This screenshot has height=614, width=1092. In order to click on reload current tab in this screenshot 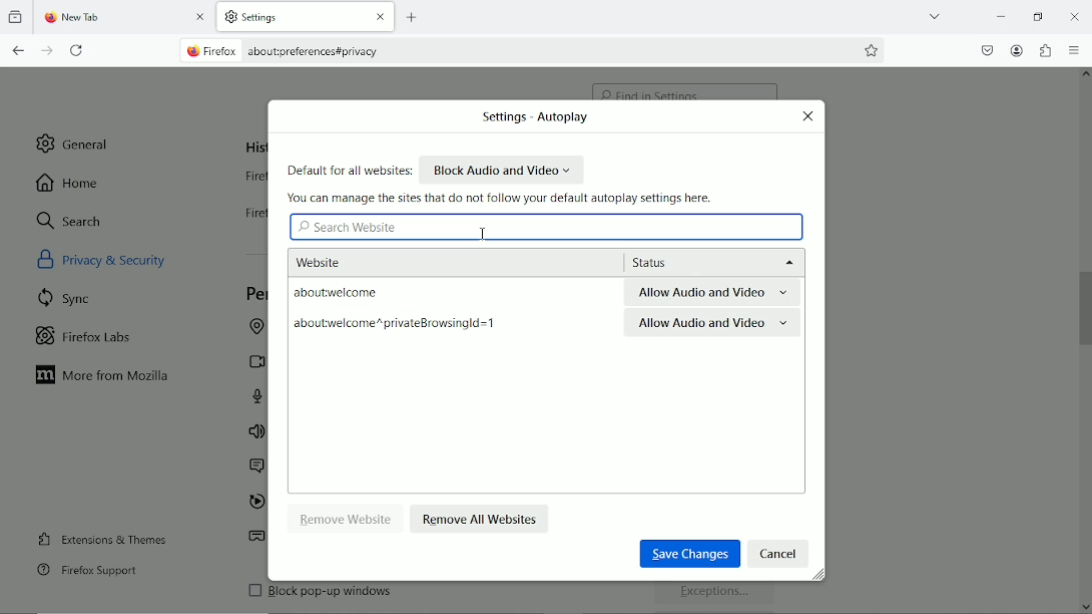, I will do `click(78, 51)`.